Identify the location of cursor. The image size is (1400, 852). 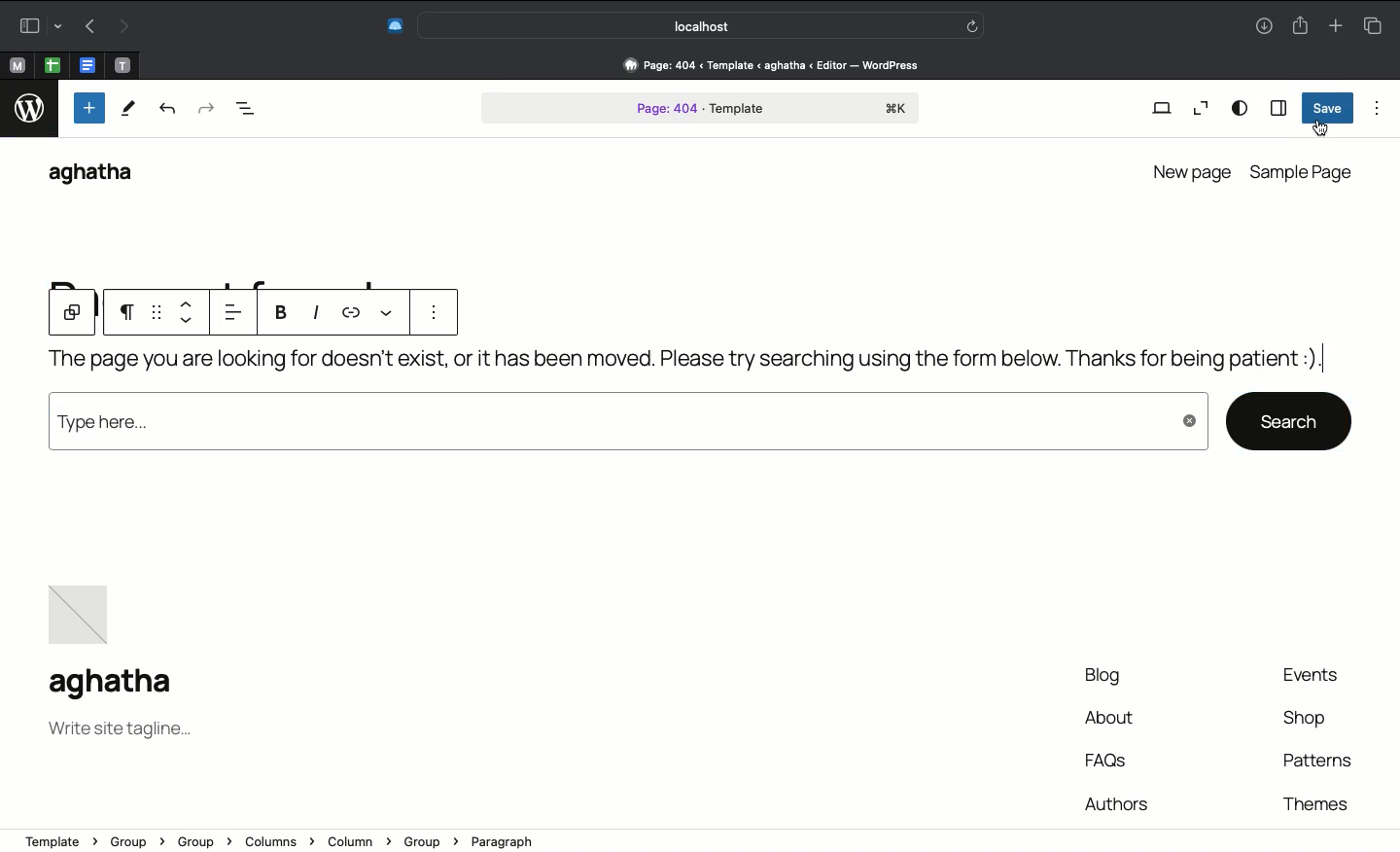
(1322, 127).